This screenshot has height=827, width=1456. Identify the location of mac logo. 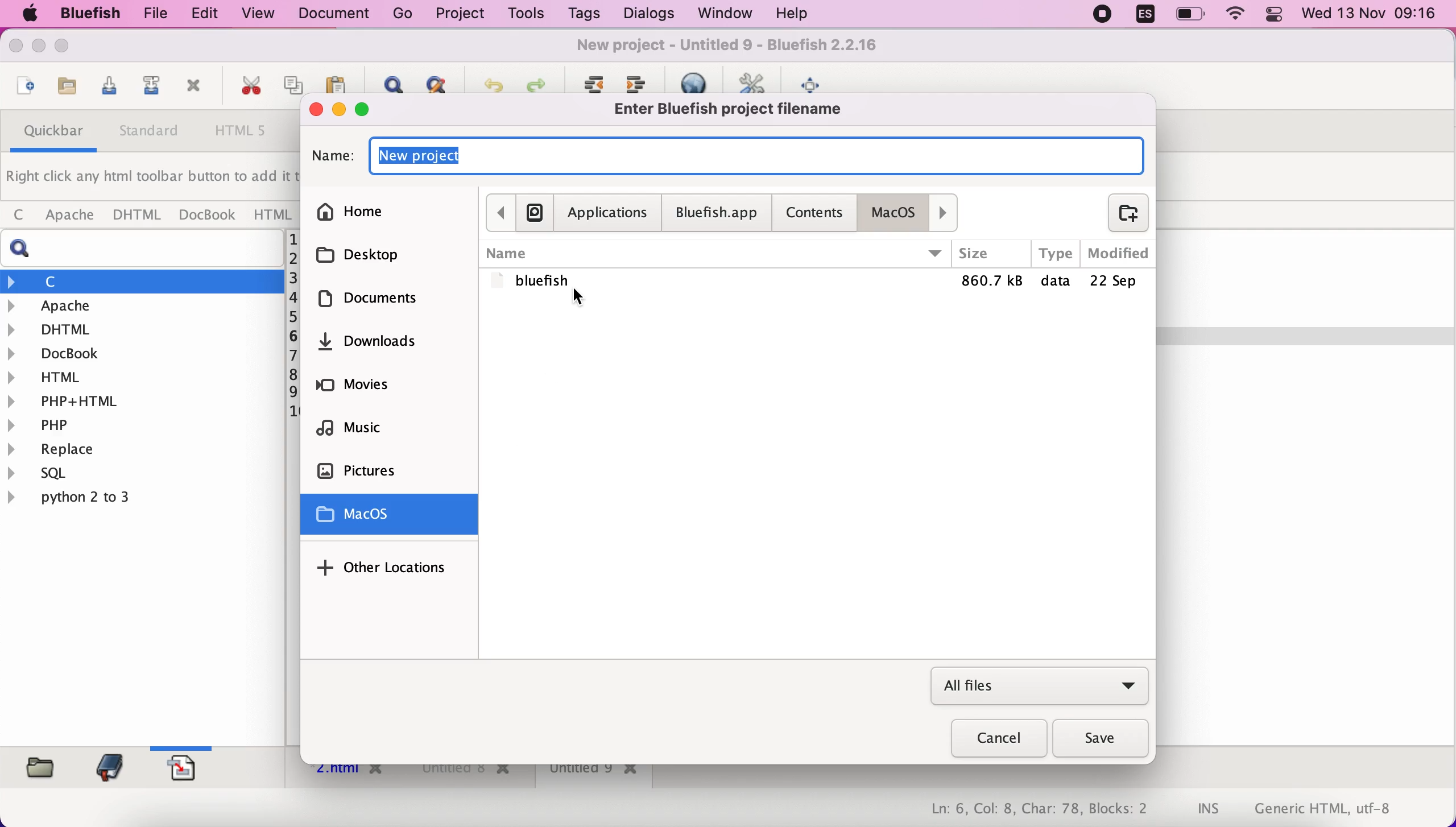
(27, 15).